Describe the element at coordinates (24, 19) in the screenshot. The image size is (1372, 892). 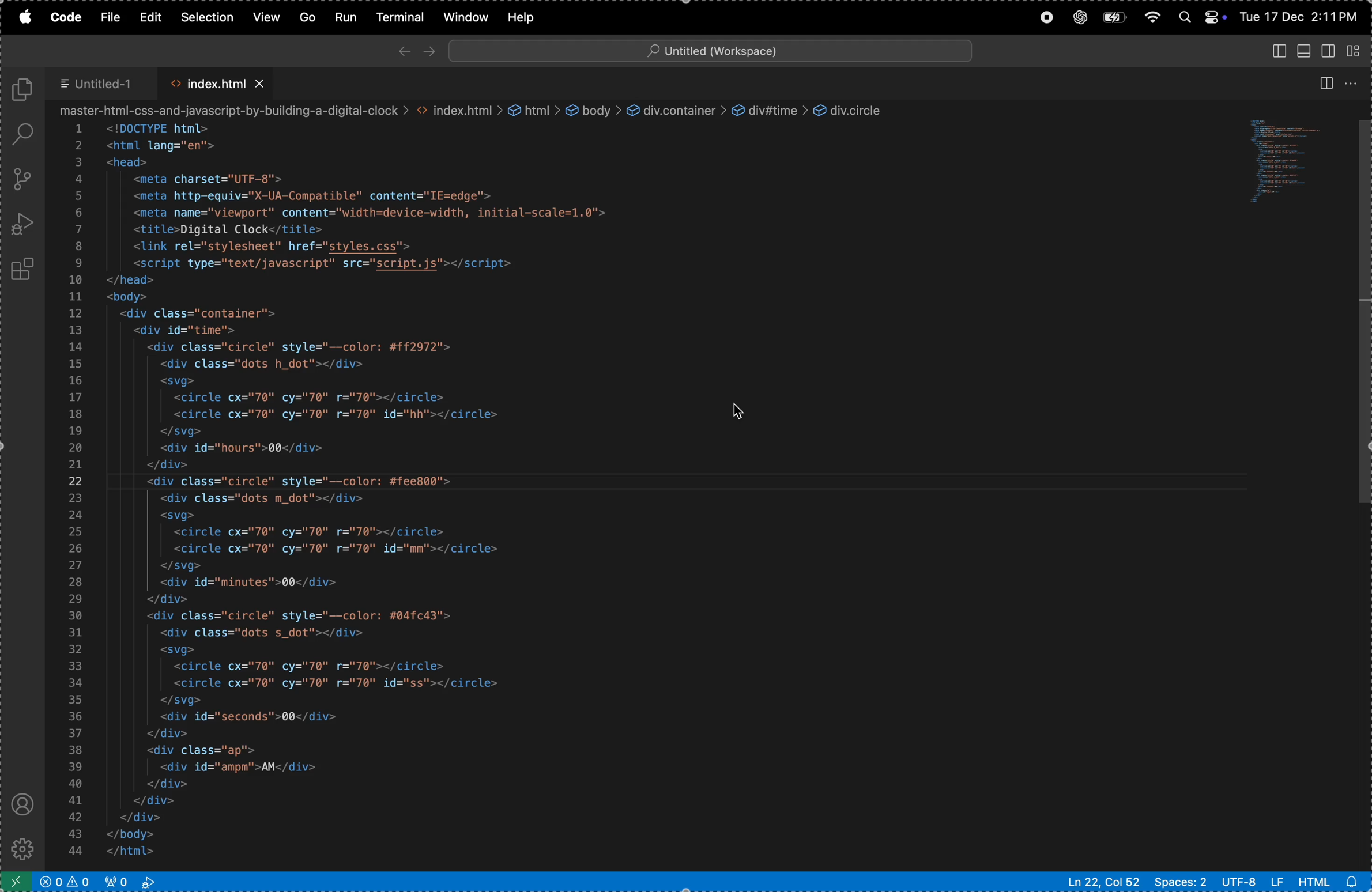
I see `apple menu` at that location.